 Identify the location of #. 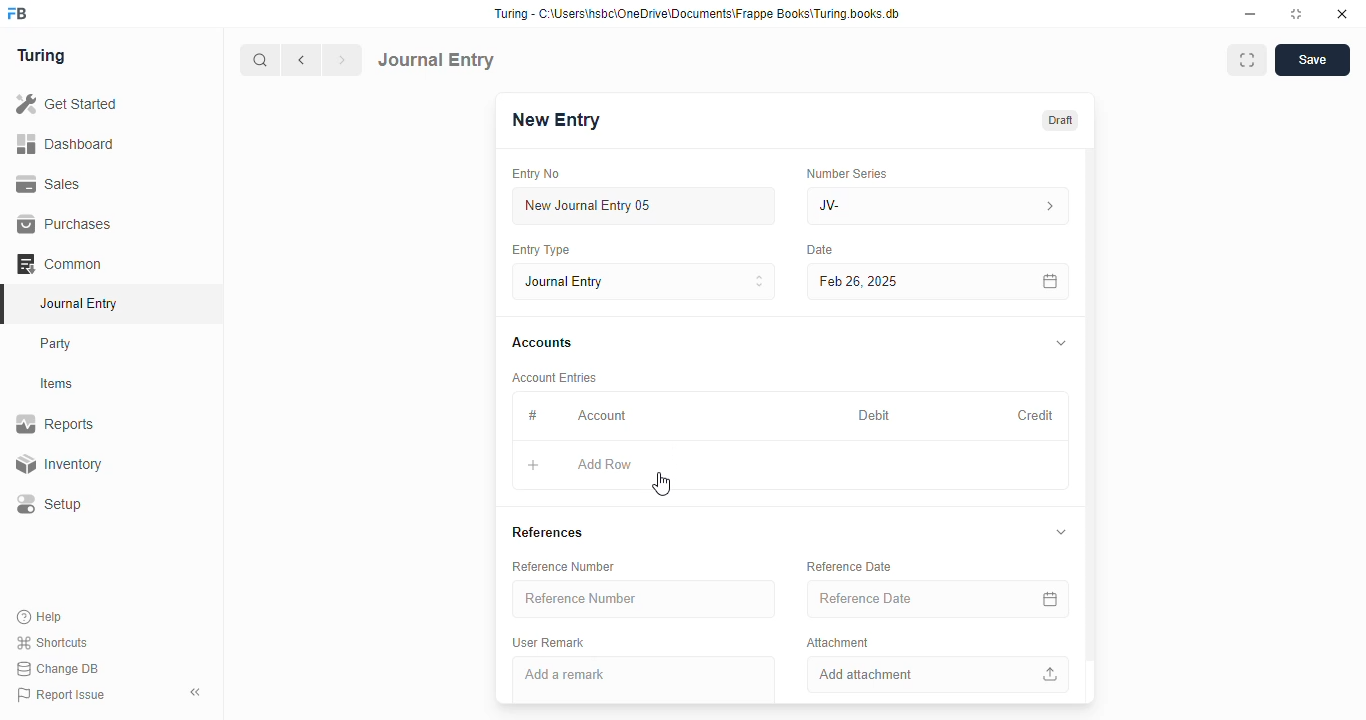
(533, 415).